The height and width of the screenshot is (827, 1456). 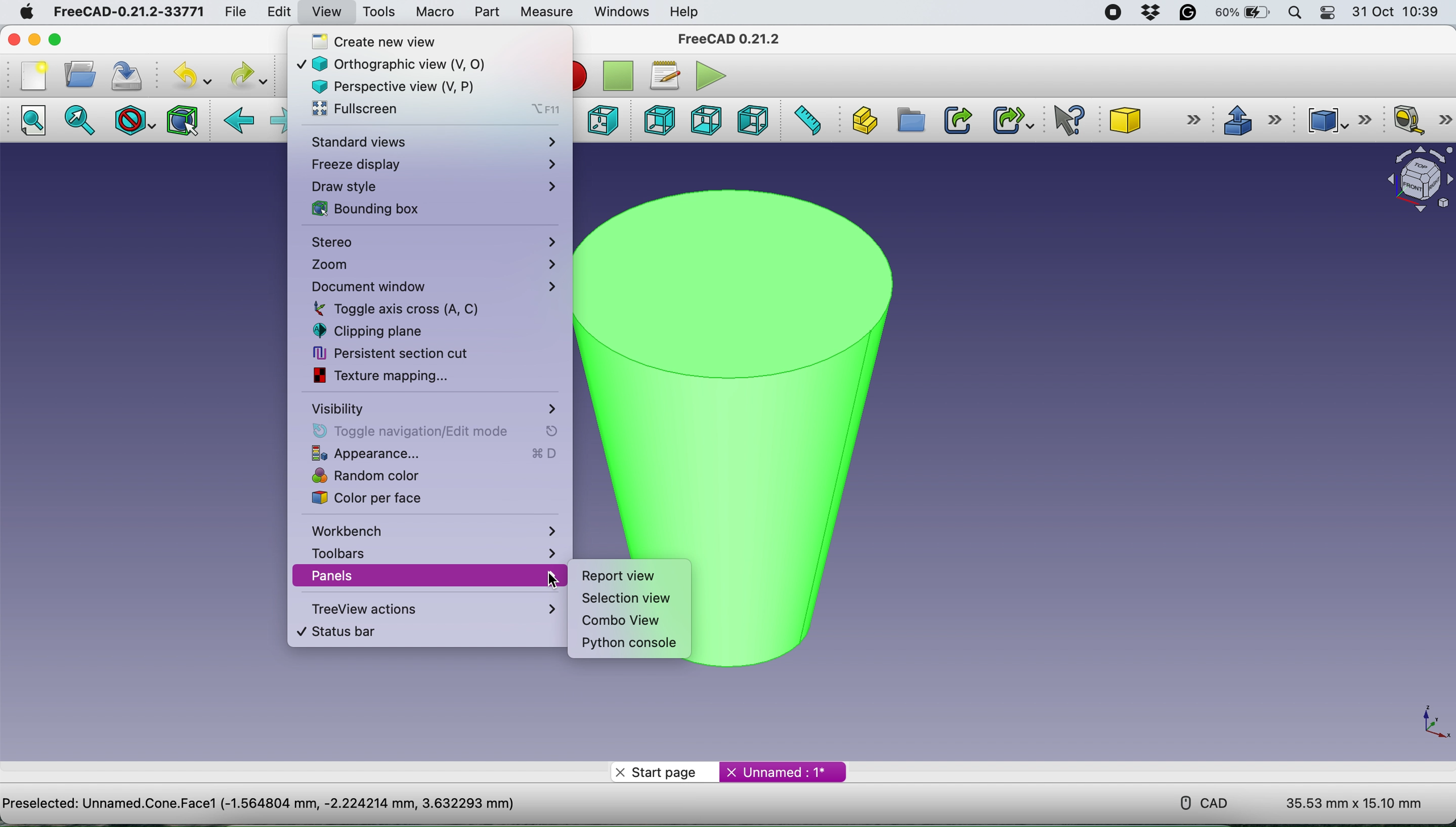 What do you see at coordinates (16, 40) in the screenshot?
I see `close` at bounding box center [16, 40].